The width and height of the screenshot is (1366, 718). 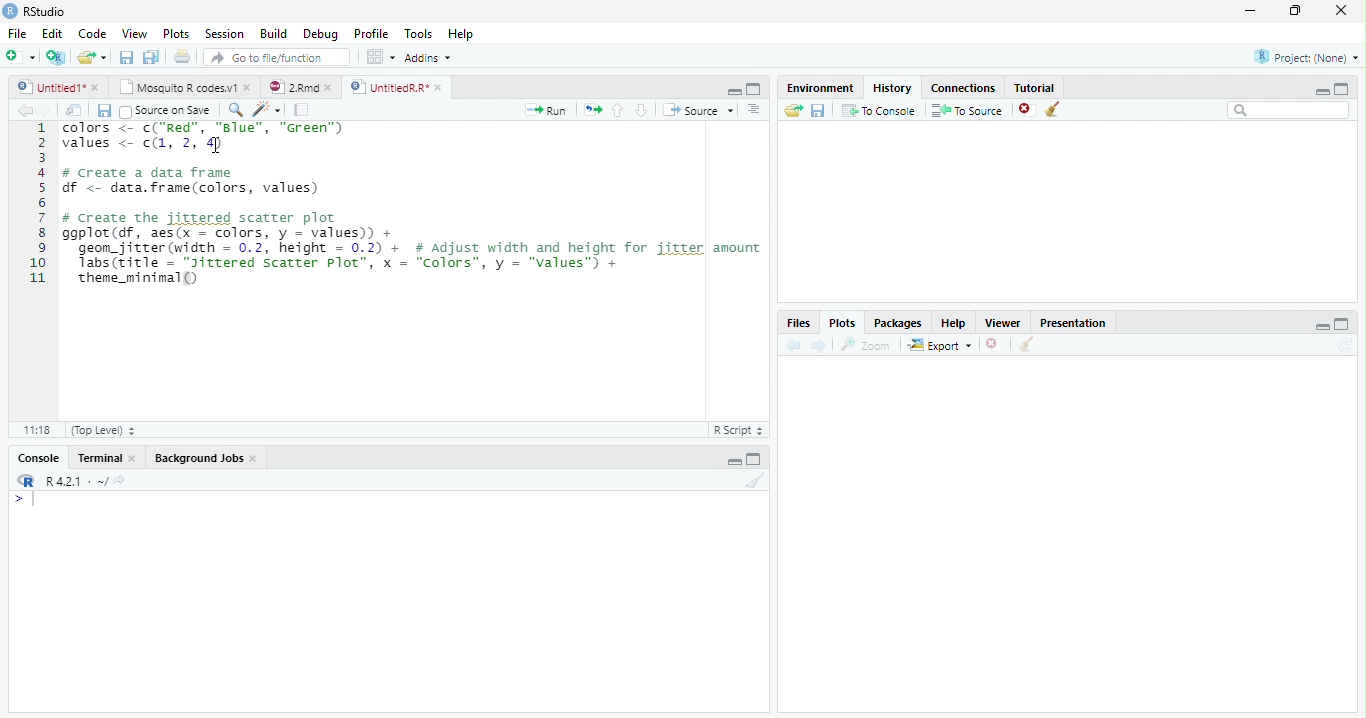 What do you see at coordinates (37, 205) in the screenshot?
I see `Line numbers` at bounding box center [37, 205].